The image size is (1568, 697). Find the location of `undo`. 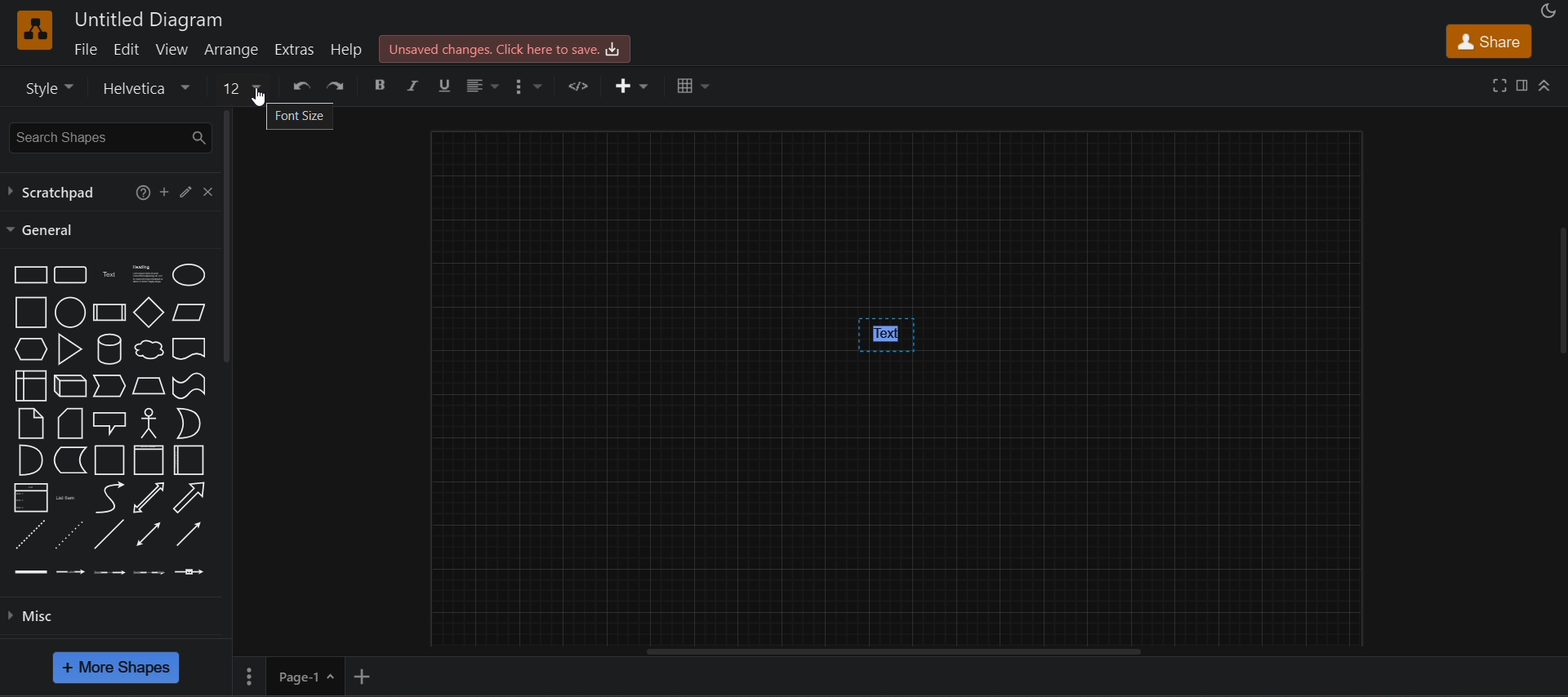

undo is located at coordinates (301, 85).